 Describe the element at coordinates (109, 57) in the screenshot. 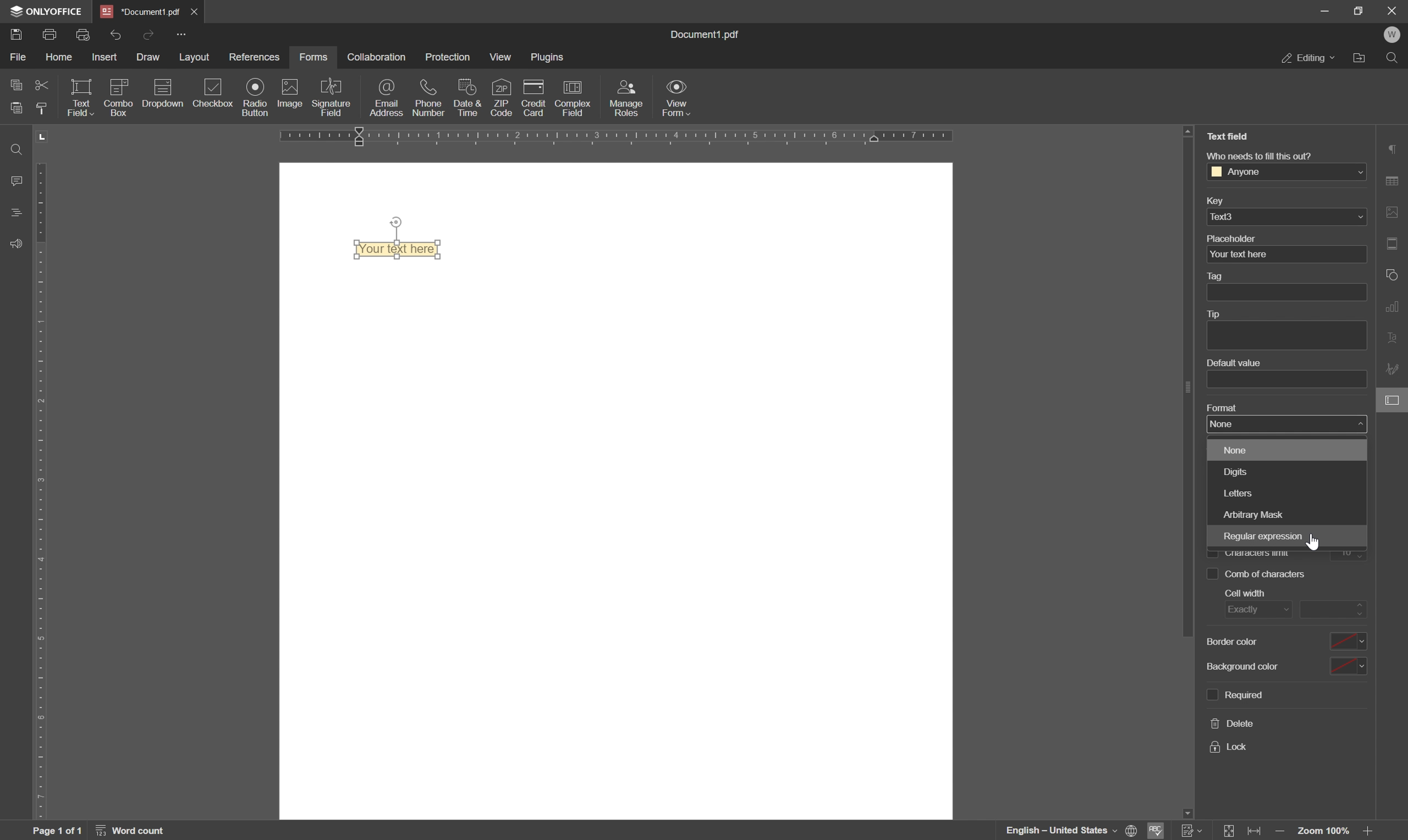

I see `insert` at that location.